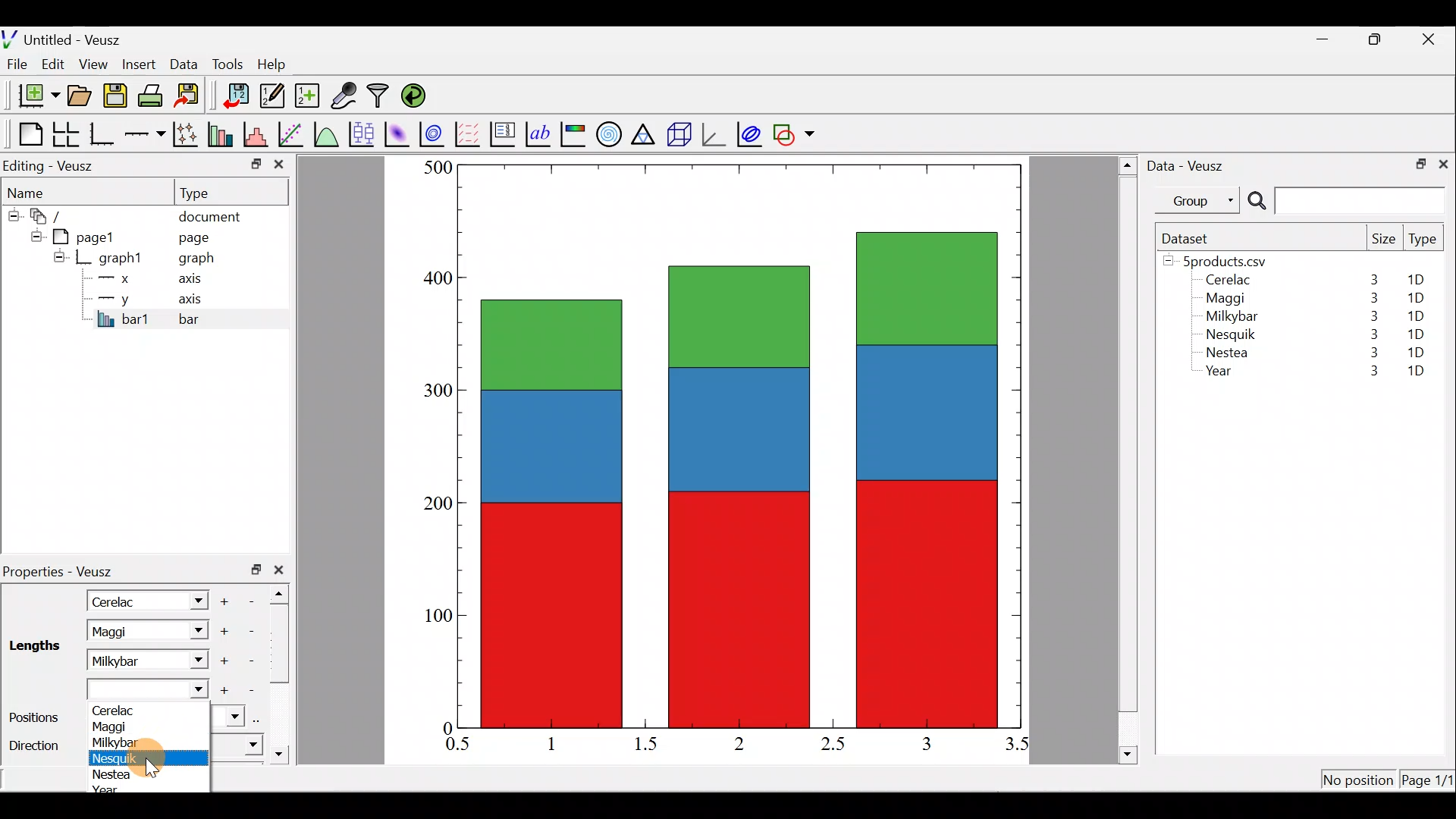 This screenshot has height=819, width=1456. I want to click on bar, so click(214, 318).